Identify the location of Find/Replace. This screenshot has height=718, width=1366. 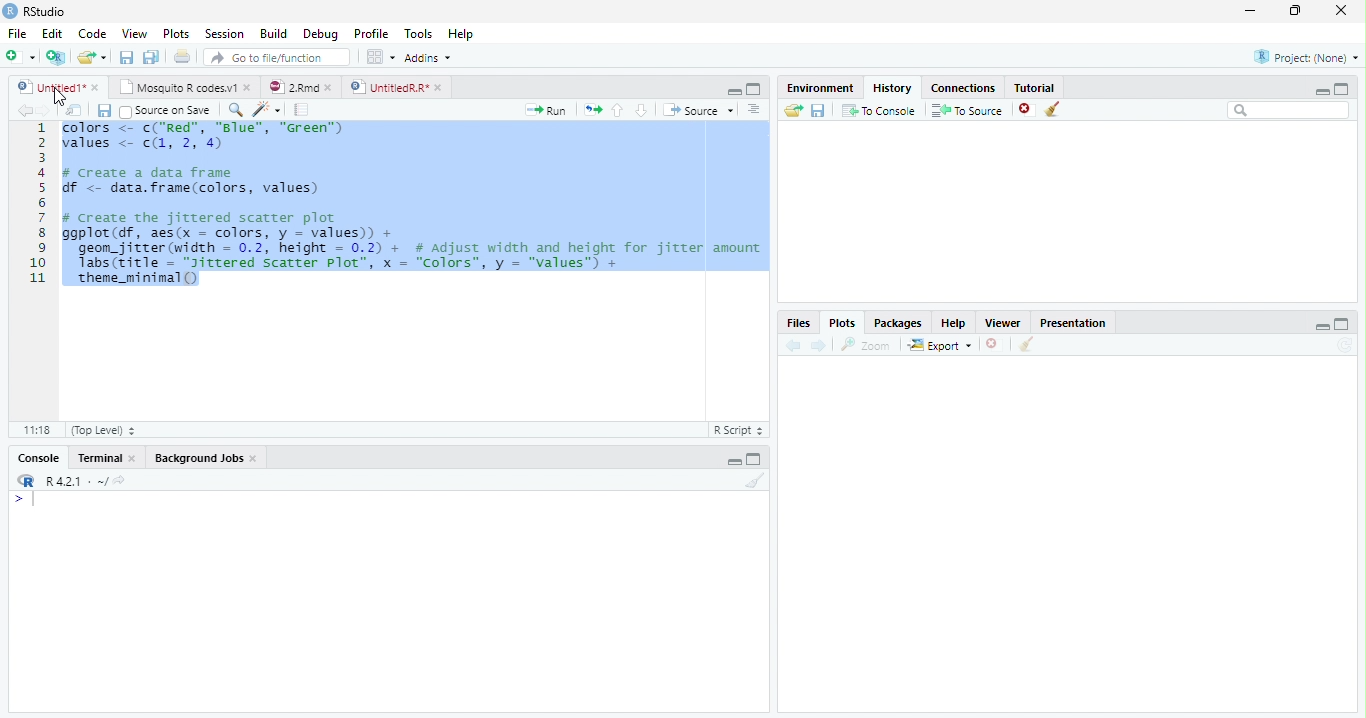
(236, 109).